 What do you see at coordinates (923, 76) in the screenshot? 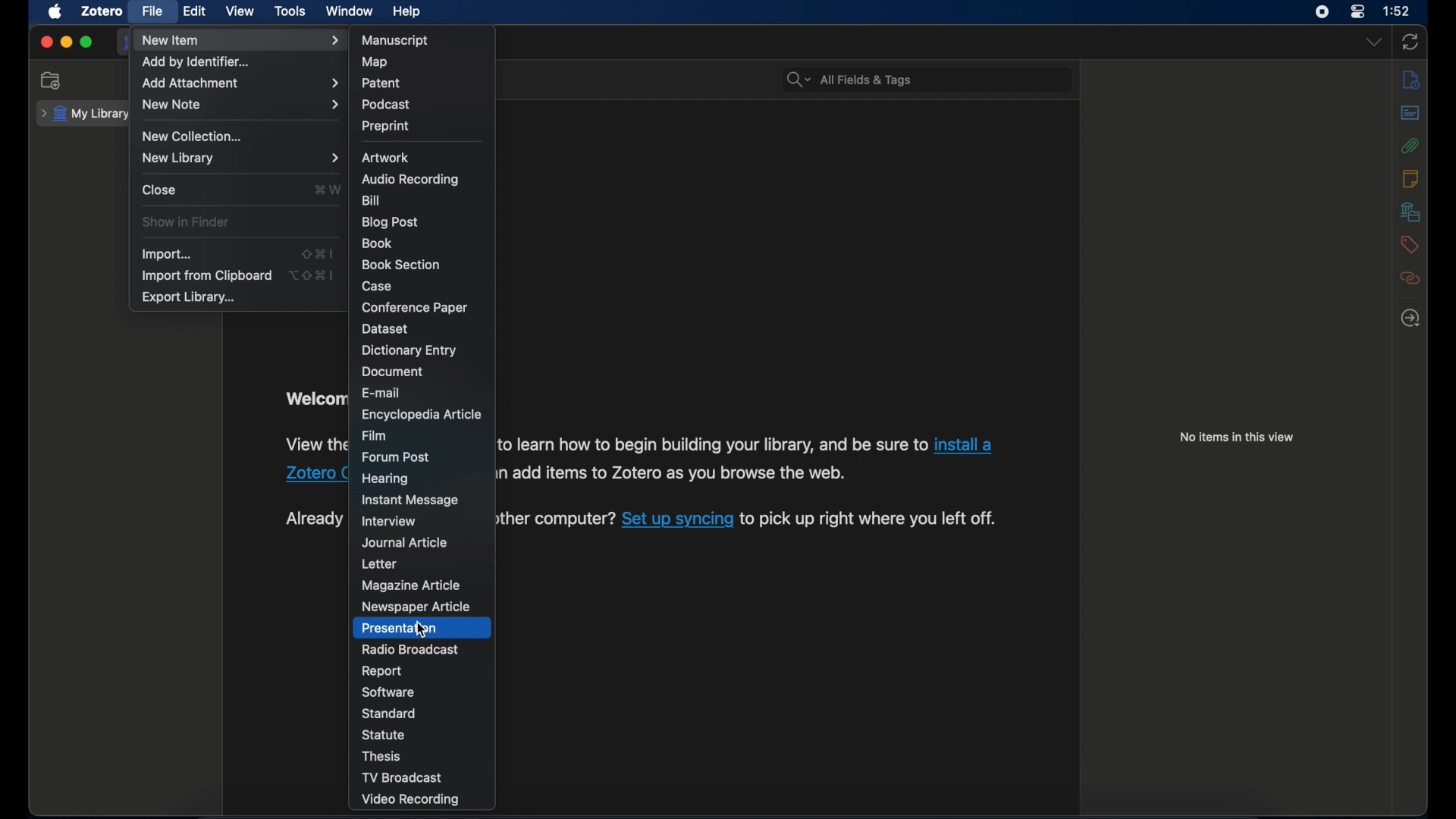
I see `All Fields & Tags` at bounding box center [923, 76].